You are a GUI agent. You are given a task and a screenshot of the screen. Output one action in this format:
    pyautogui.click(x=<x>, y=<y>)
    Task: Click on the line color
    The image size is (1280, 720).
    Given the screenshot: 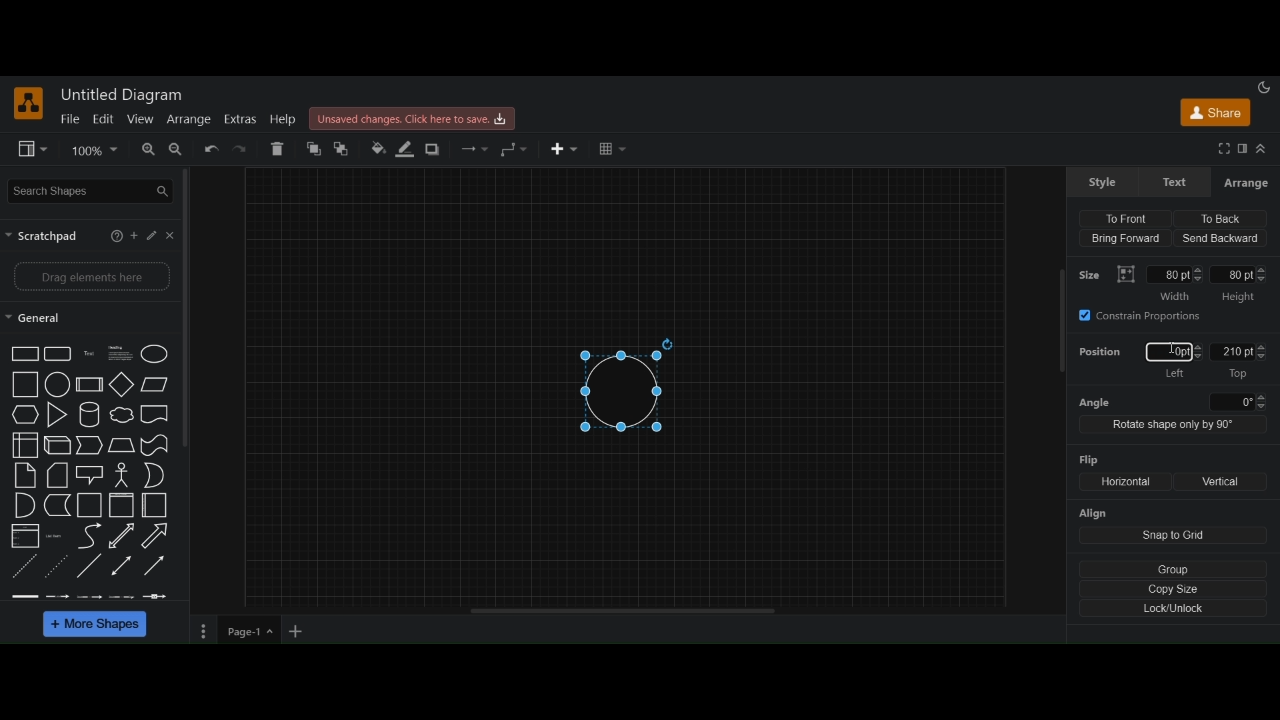 What is the action you would take?
    pyautogui.click(x=405, y=148)
    